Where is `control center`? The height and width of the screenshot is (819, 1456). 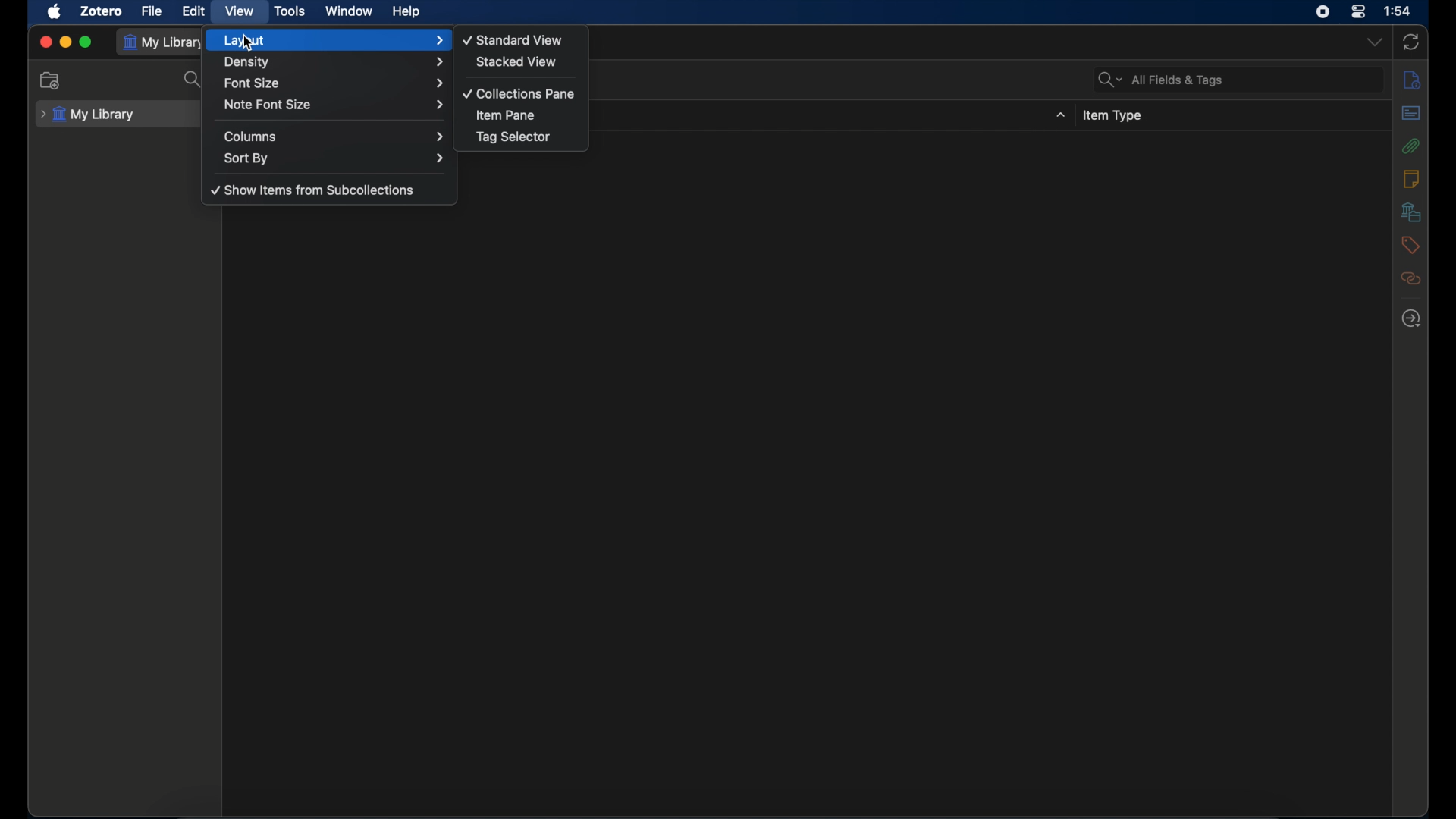
control center is located at coordinates (1357, 11).